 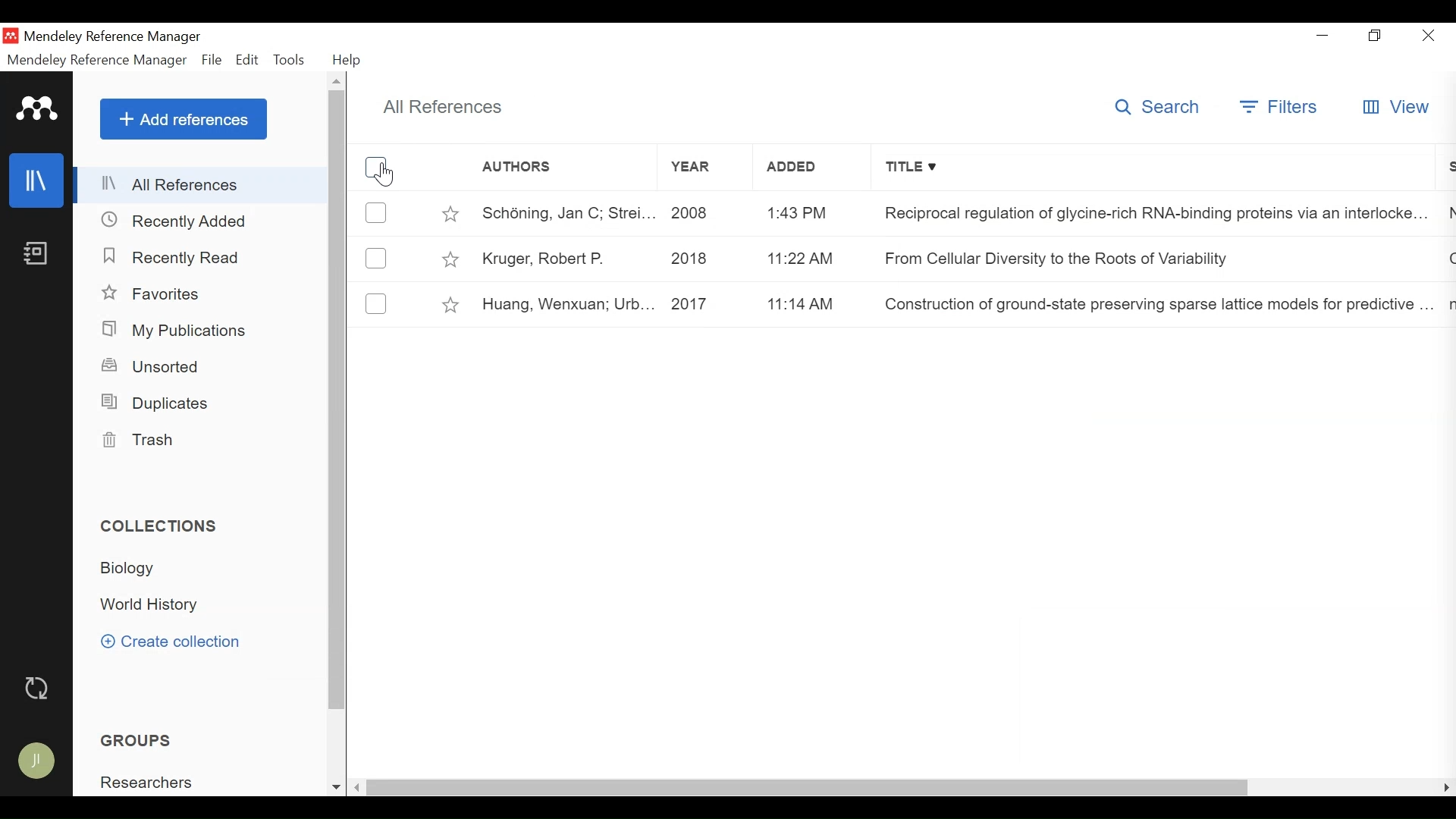 I want to click on Create Collection, so click(x=180, y=643).